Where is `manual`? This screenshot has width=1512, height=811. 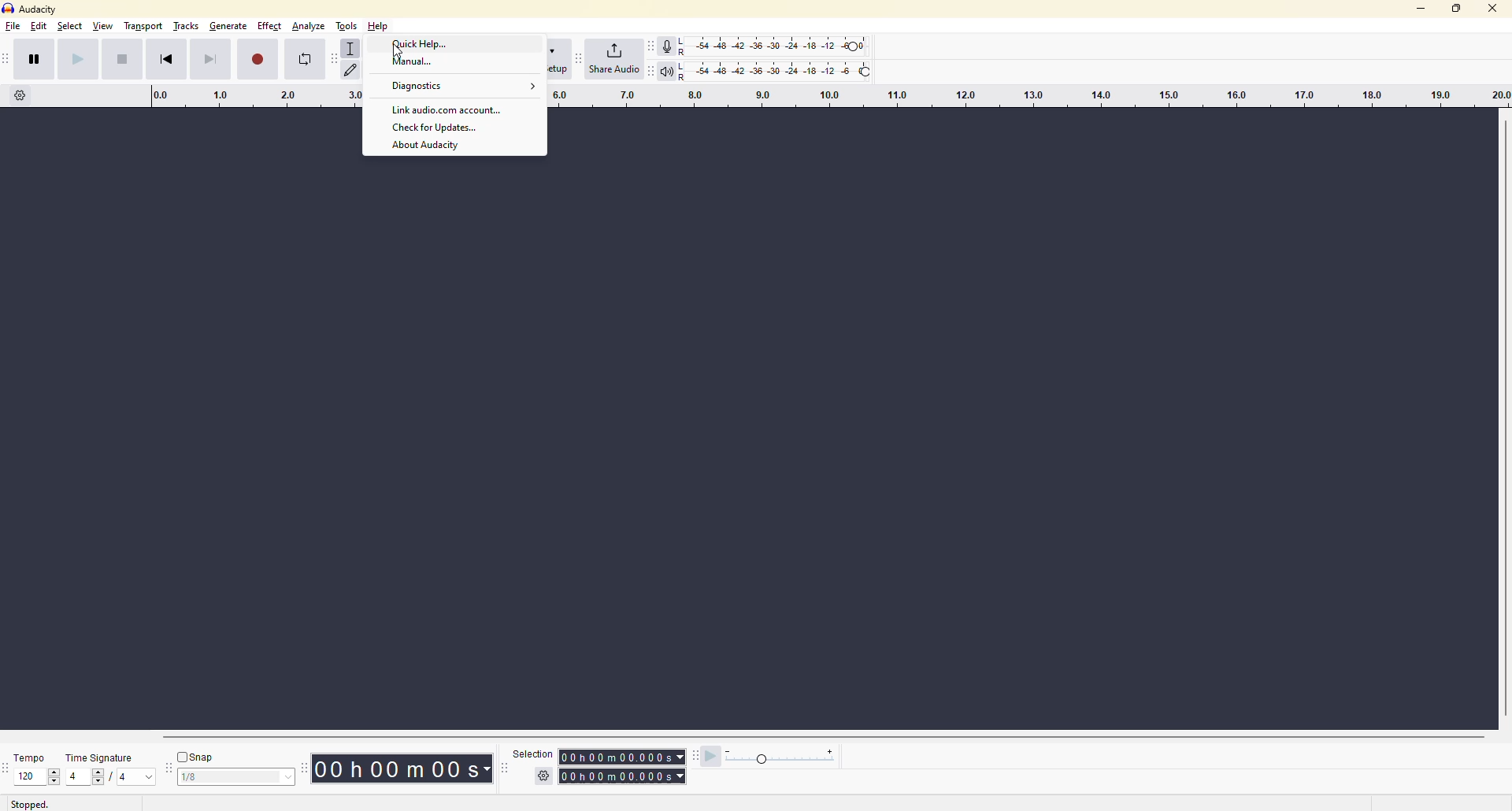
manual is located at coordinates (417, 64).